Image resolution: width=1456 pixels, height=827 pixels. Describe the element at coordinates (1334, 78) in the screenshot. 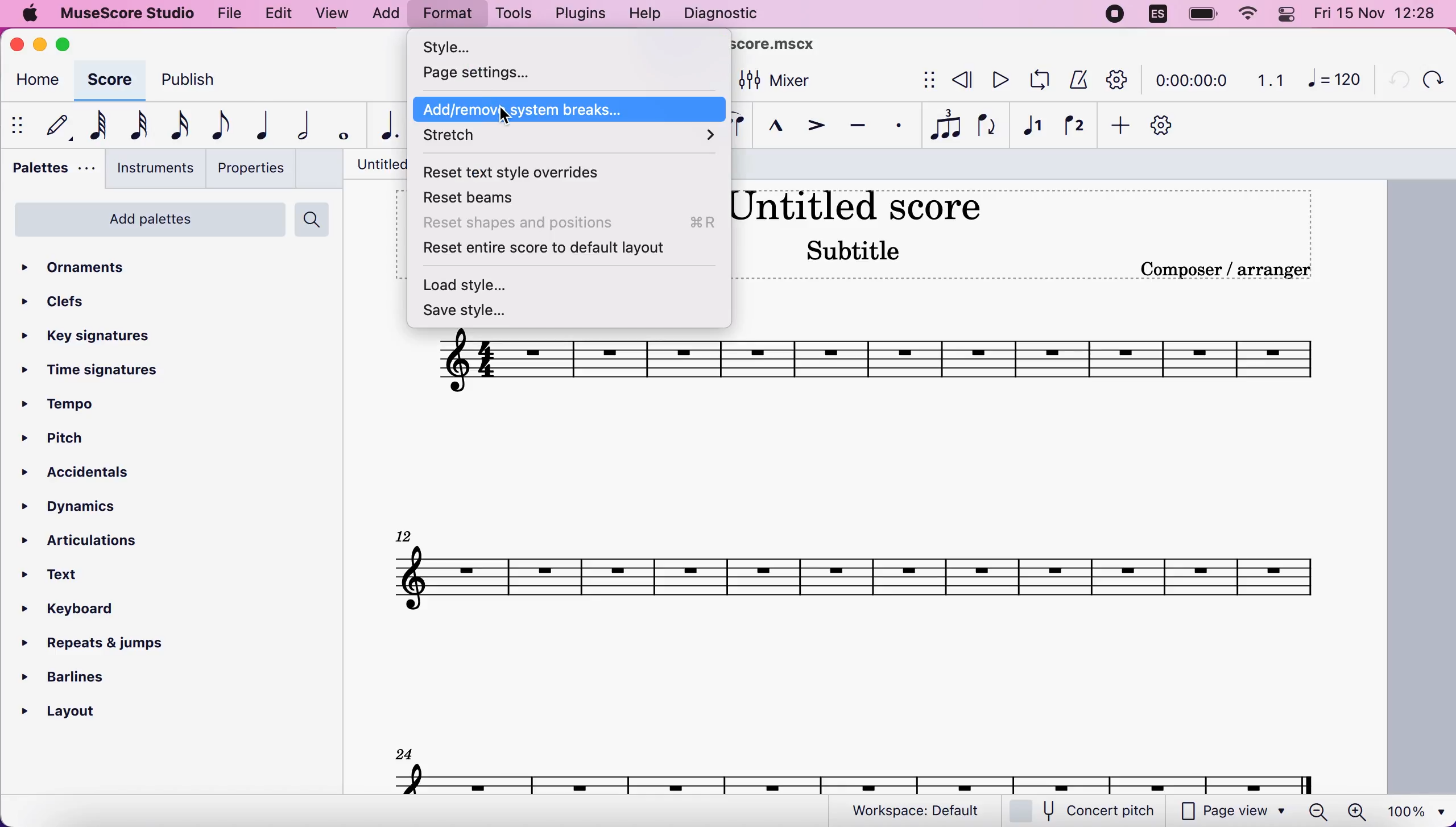

I see `120` at that location.